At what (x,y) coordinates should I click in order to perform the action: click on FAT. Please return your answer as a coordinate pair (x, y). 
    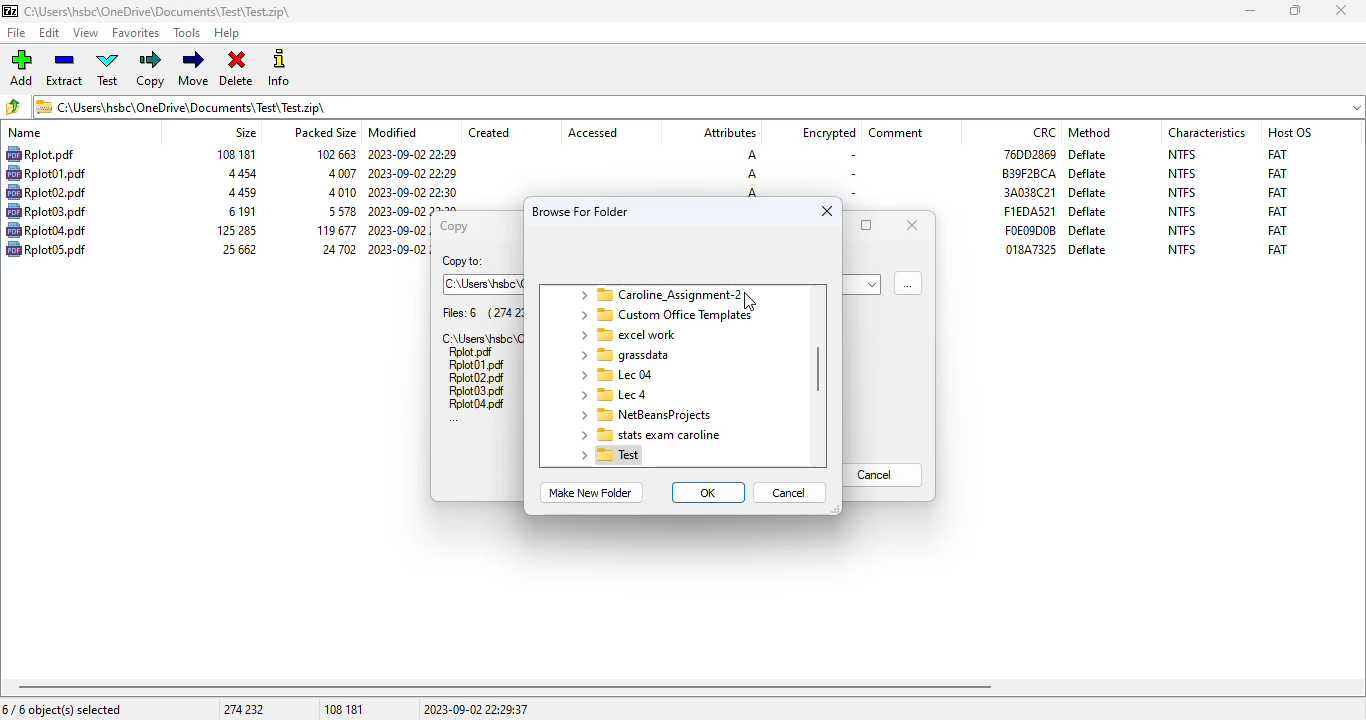
    Looking at the image, I should click on (1277, 192).